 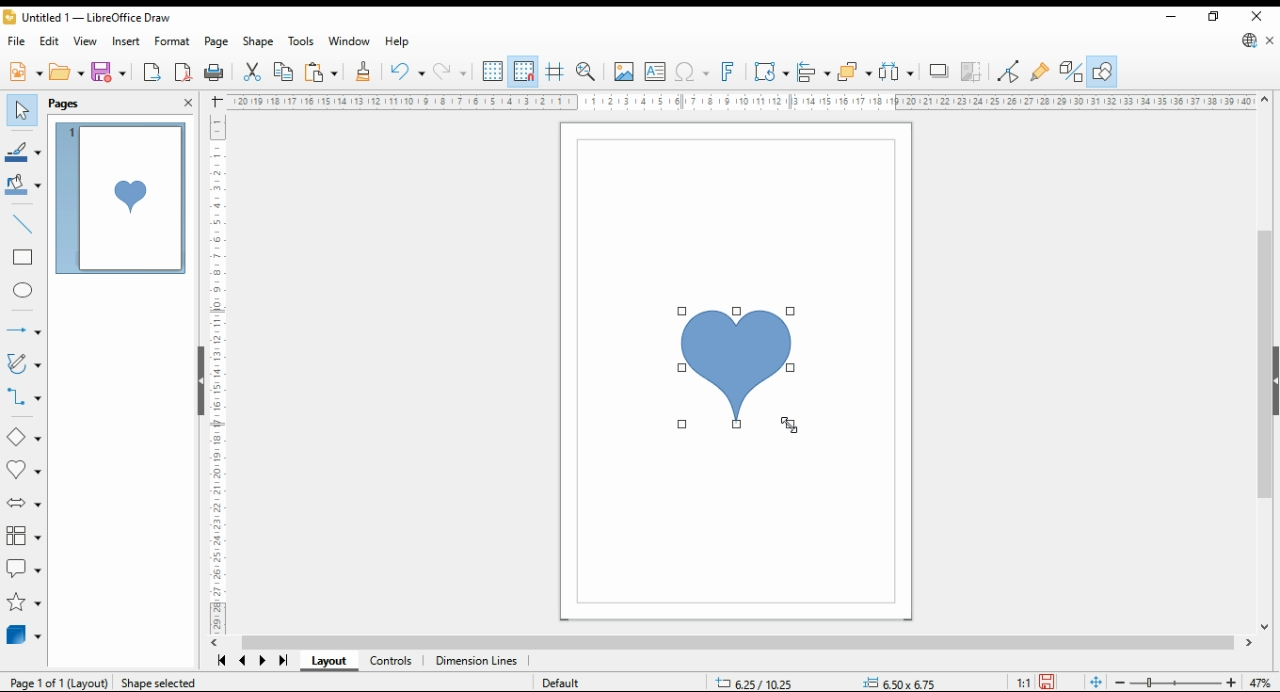 I want to click on minimize, so click(x=1170, y=16).